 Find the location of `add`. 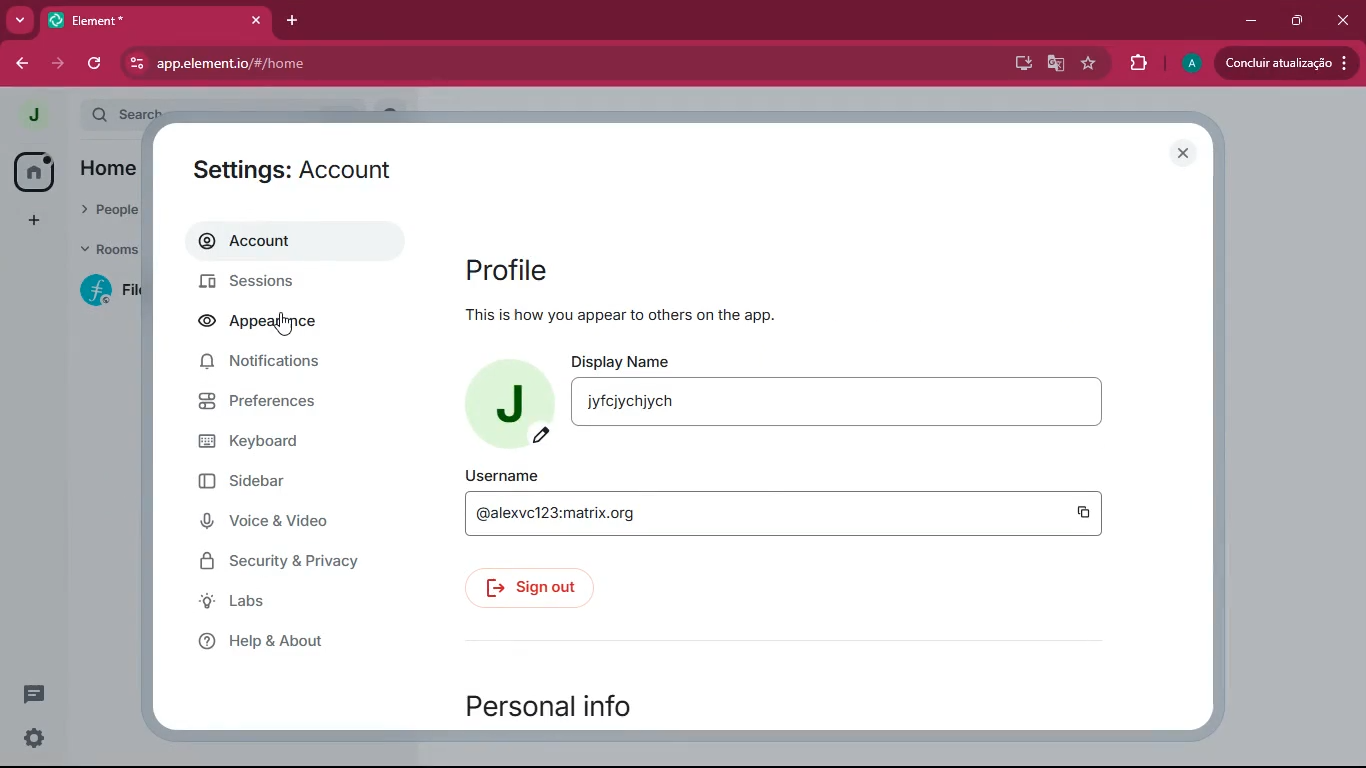

add is located at coordinates (29, 220).